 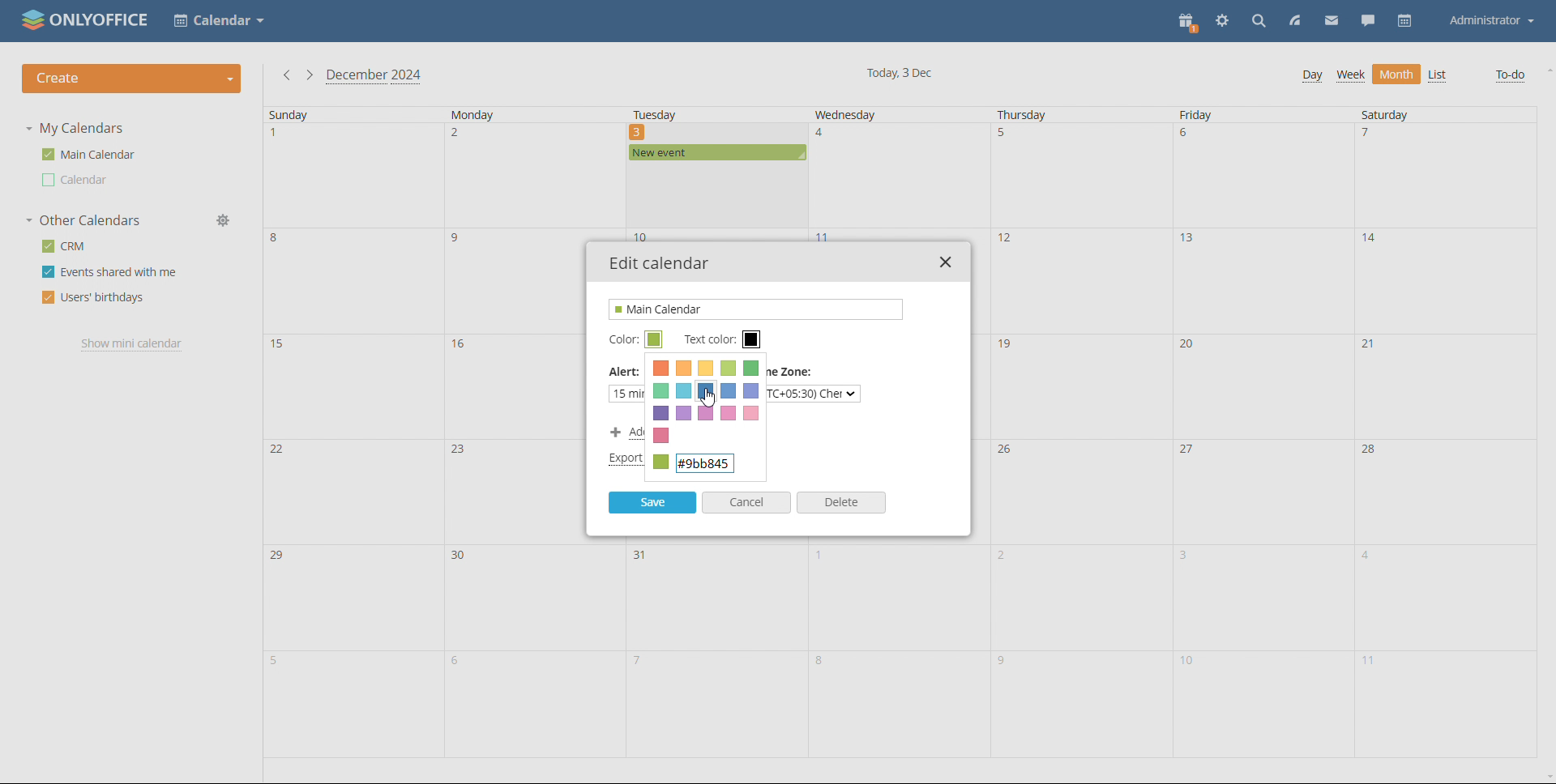 I want to click on date, so click(x=1259, y=706).